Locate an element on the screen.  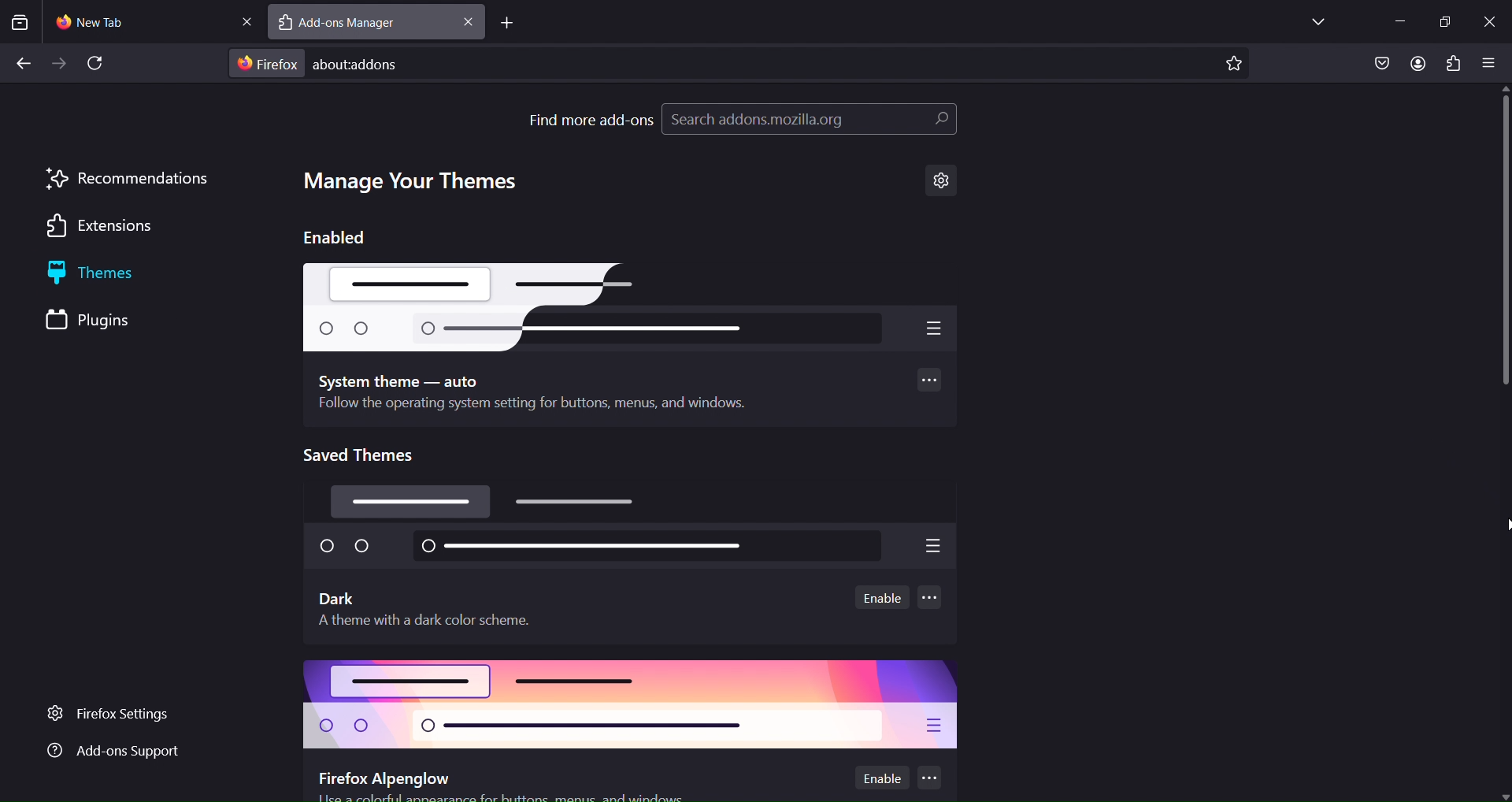
... is located at coordinates (935, 381).